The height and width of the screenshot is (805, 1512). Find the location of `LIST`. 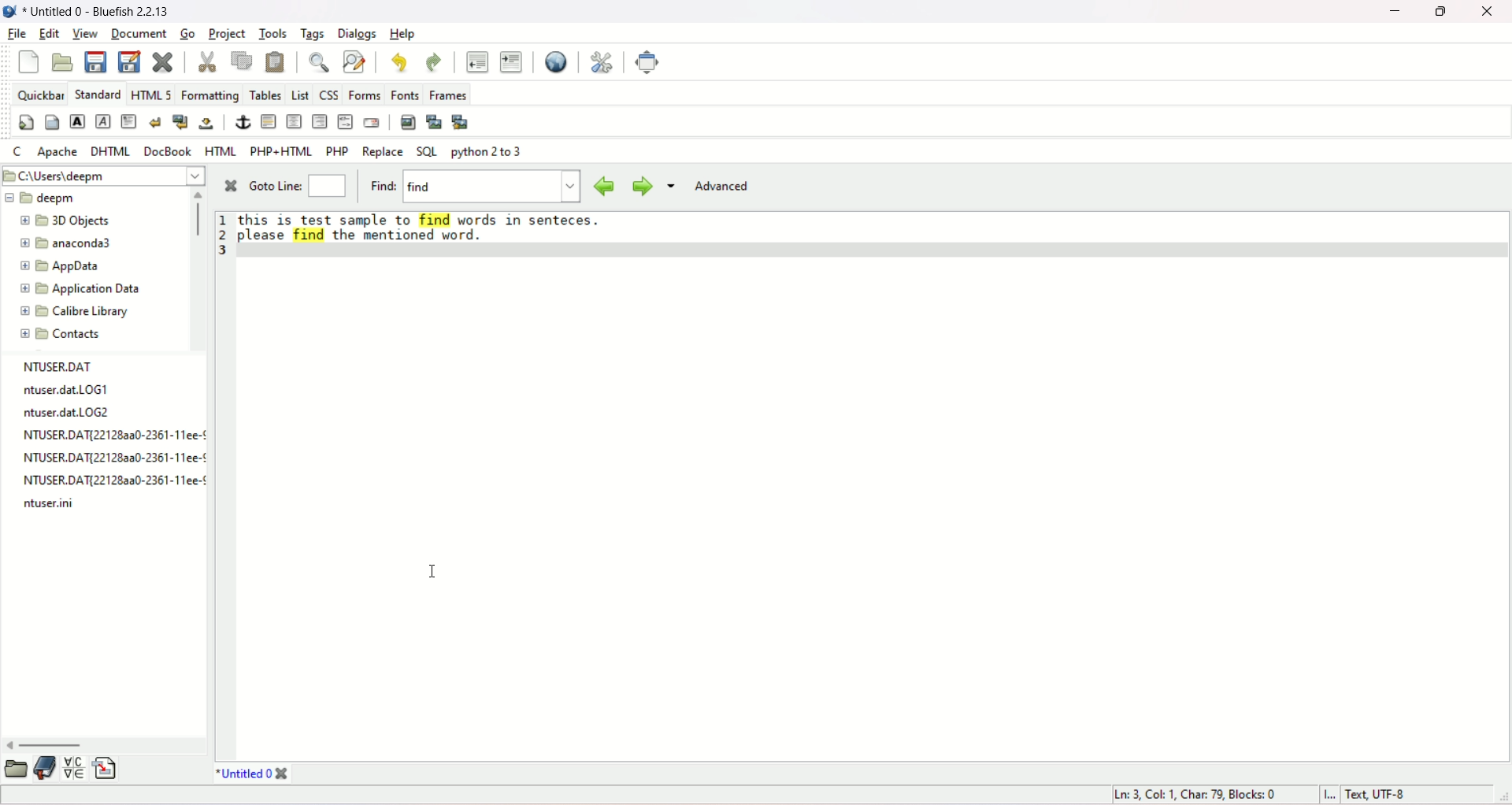

LIST is located at coordinates (301, 95).